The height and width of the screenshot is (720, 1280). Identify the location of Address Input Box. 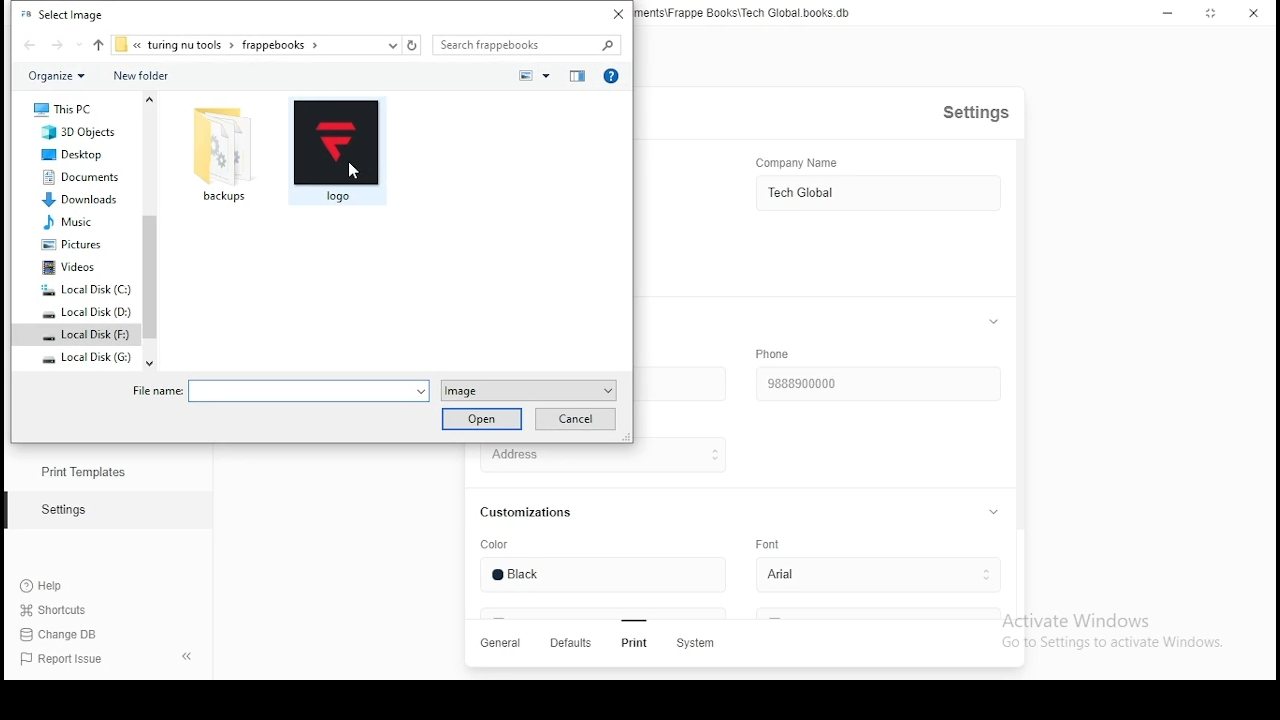
(600, 456).